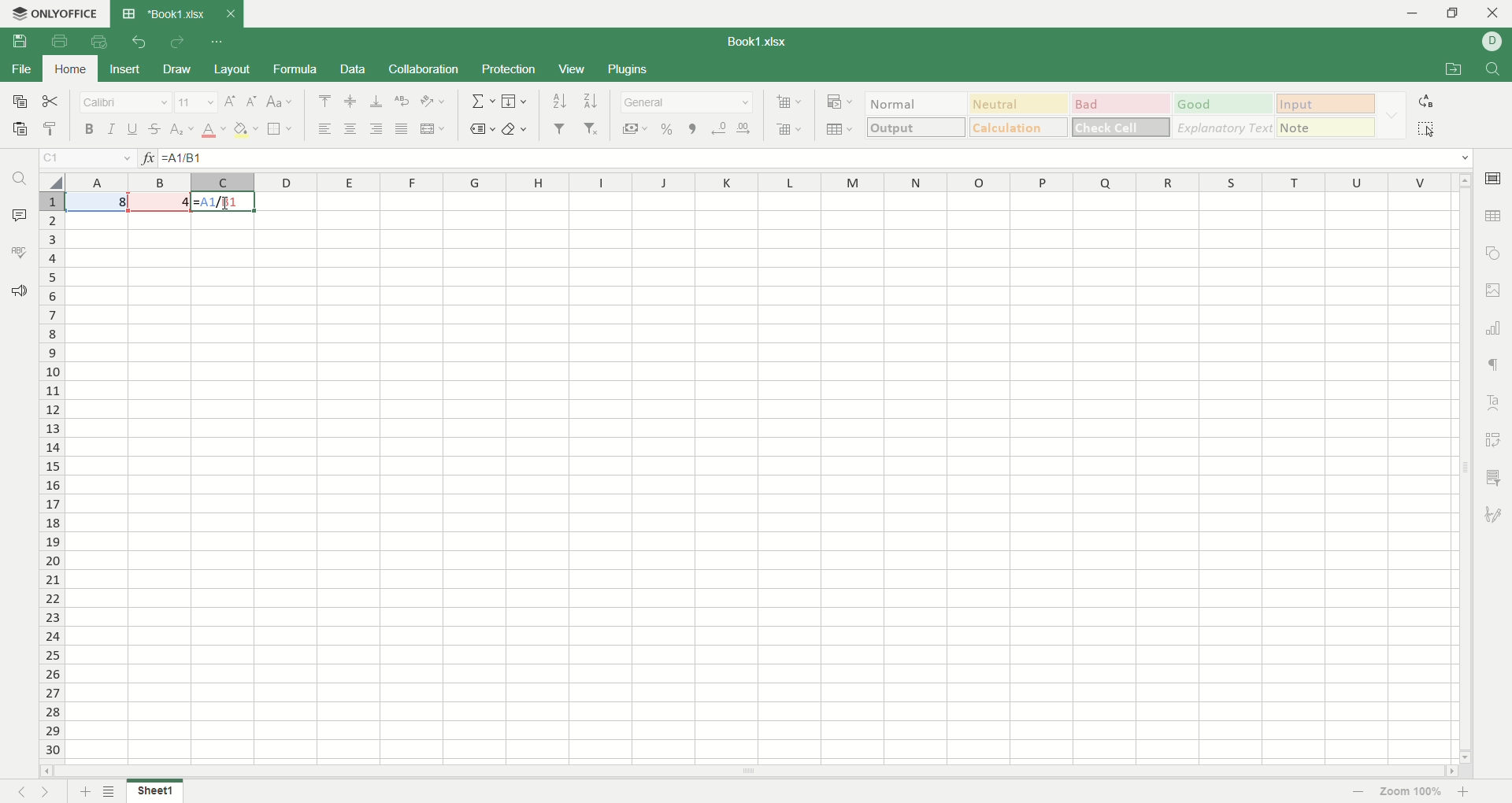  I want to click on view, so click(573, 70).